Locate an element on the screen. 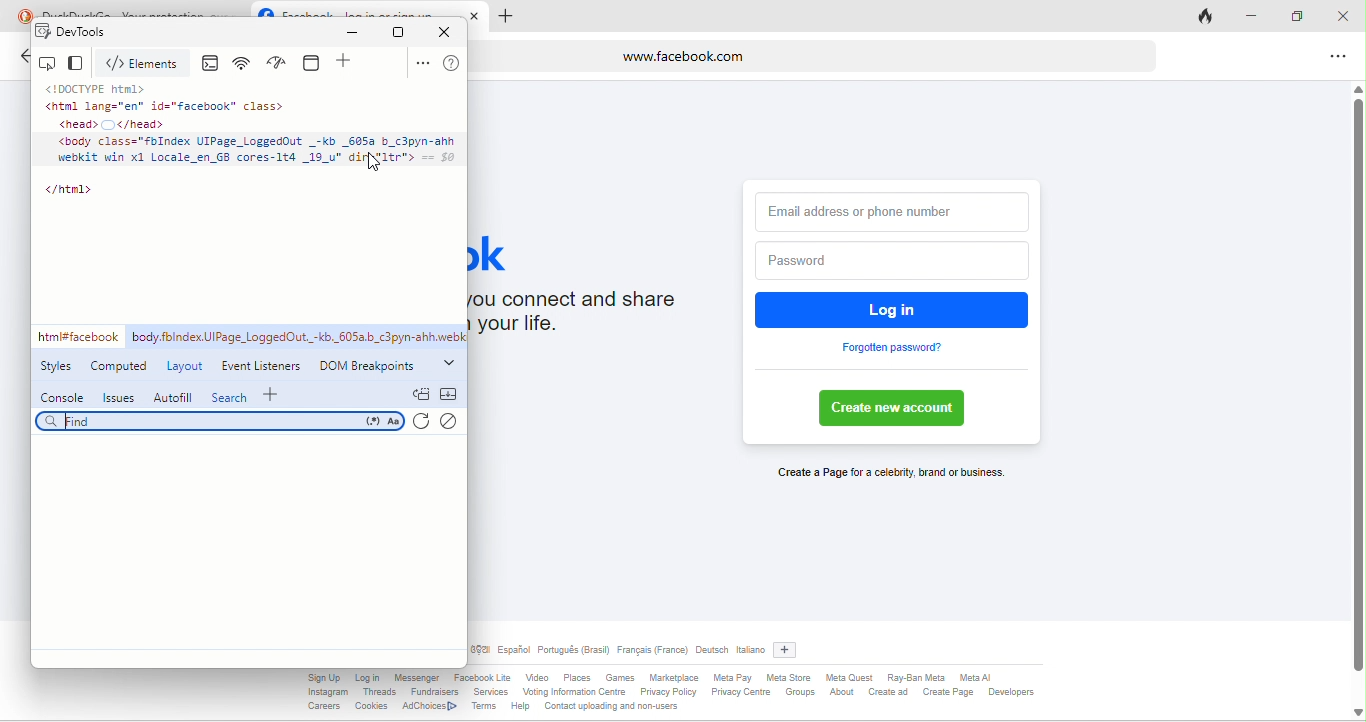  | htmi#facebook body fbindexUlPage LoggedOut,-kb. 605ab_cIpyn-ahhwebk is located at coordinates (251, 337).